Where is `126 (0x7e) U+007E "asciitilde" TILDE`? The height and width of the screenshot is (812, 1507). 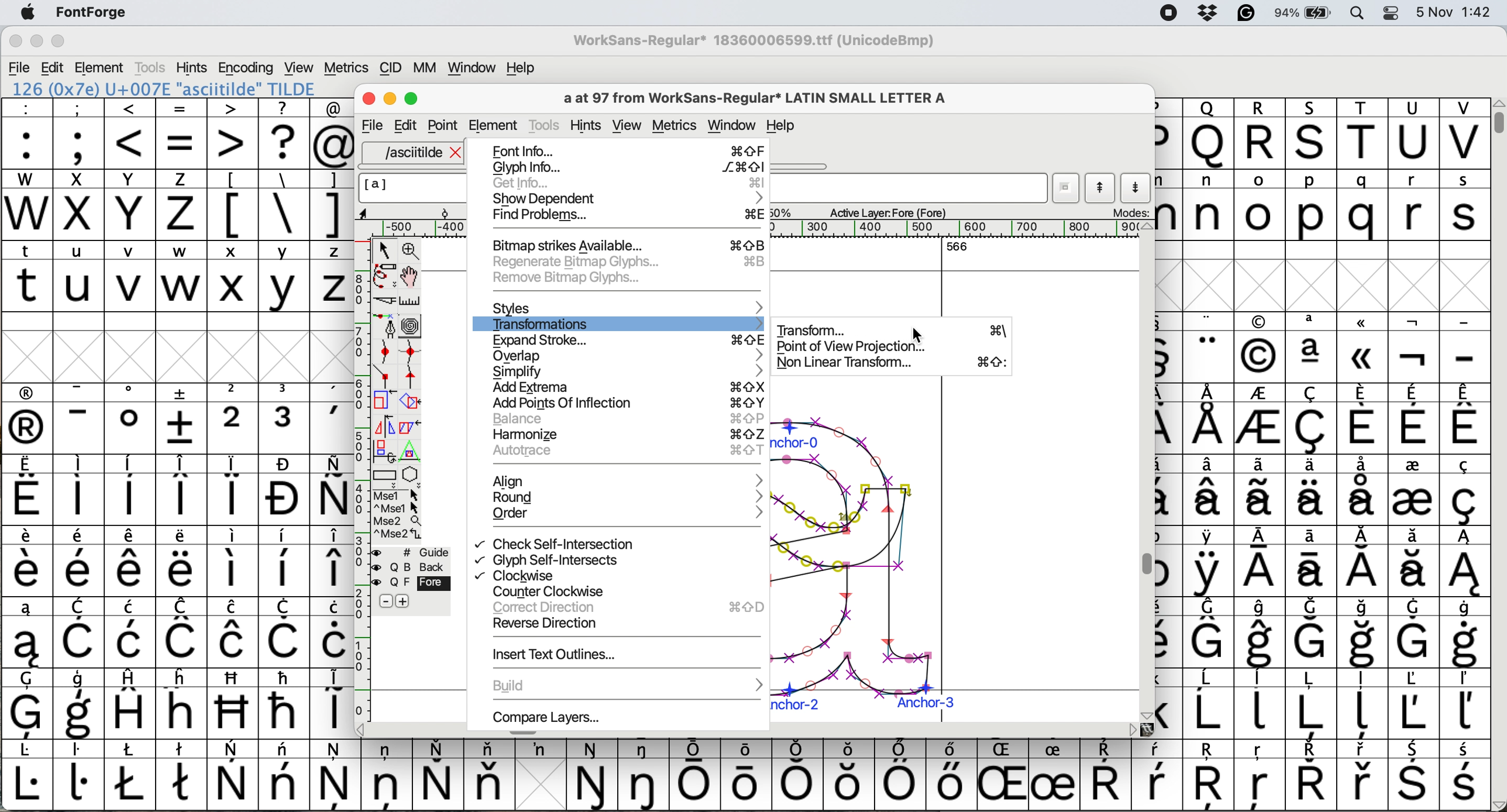
126 (0x7e) U+007E "asciitilde" TILDE is located at coordinates (165, 88).